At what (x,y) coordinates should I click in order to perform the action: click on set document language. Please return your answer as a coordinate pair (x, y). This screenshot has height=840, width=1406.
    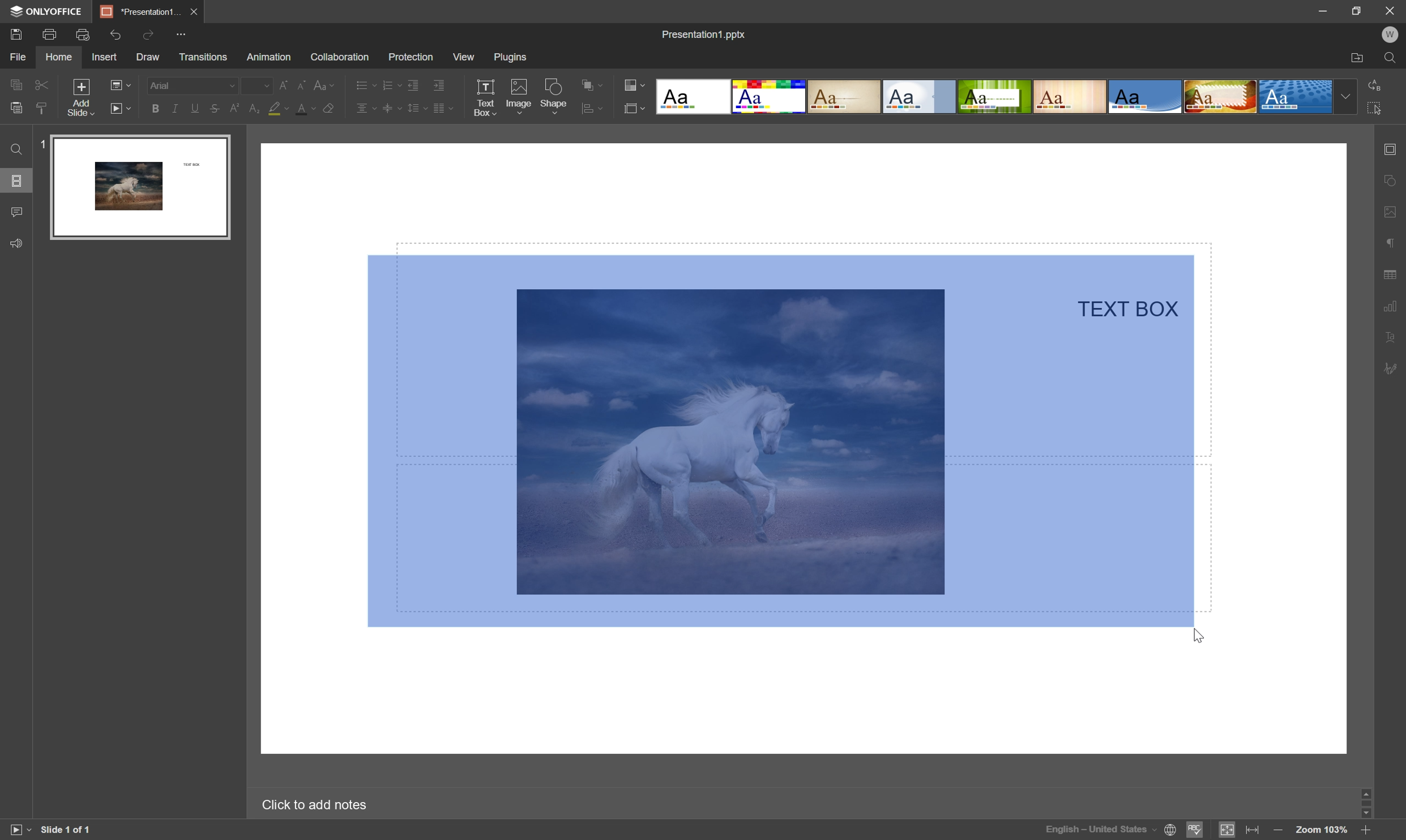
    Looking at the image, I should click on (1112, 829).